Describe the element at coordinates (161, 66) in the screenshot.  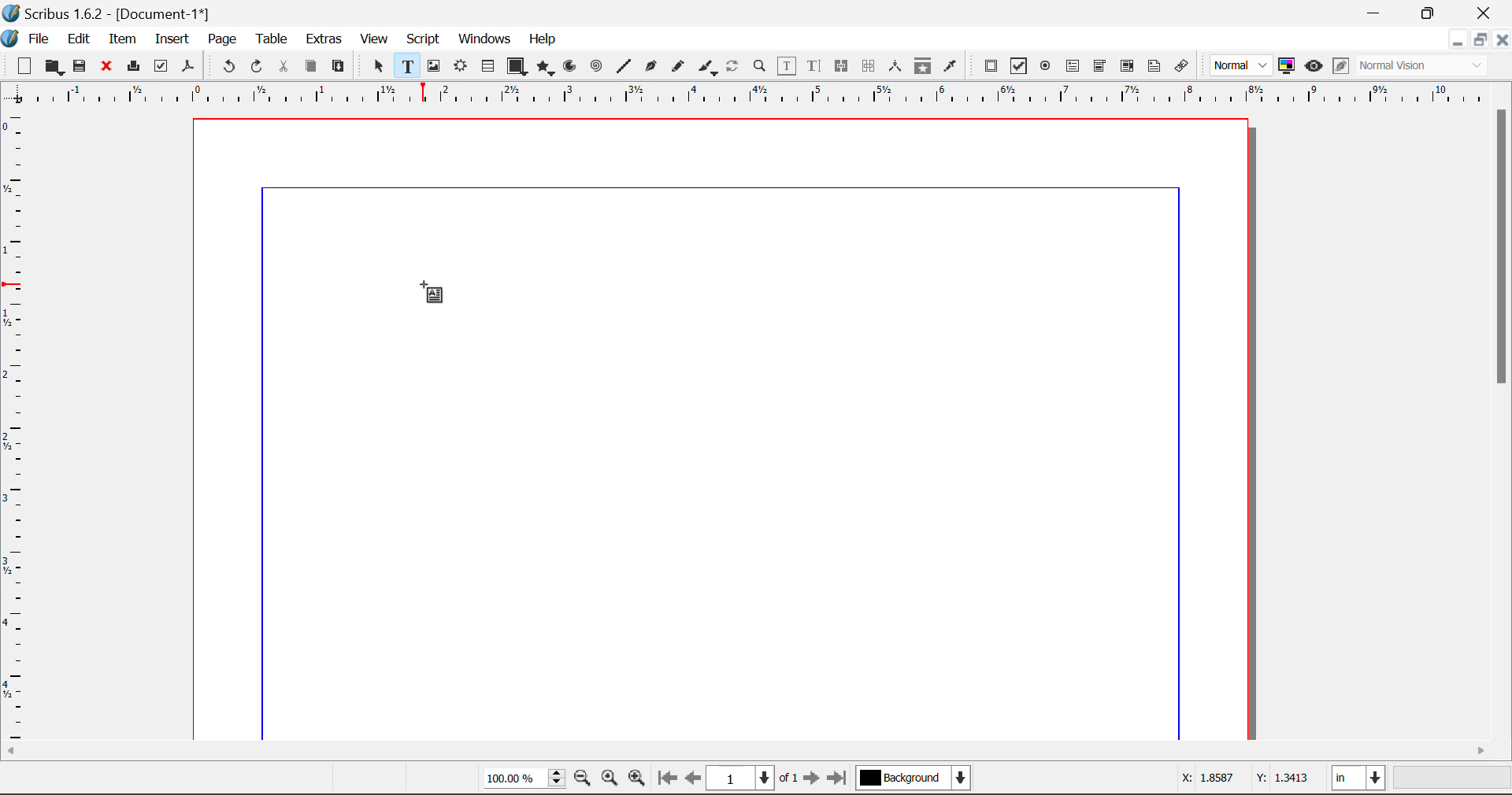
I see `Pre-flight Verifier` at that location.